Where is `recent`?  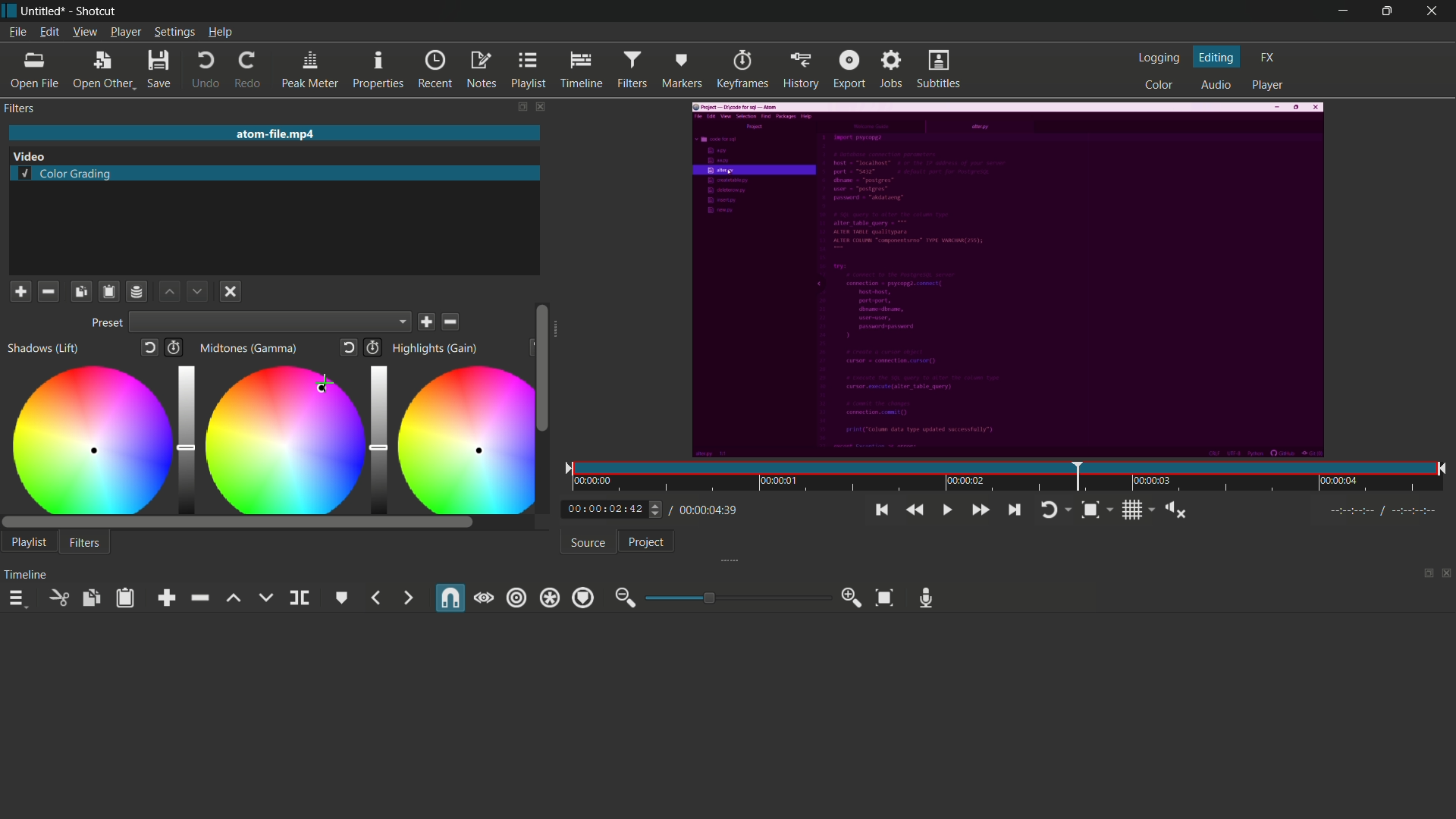
recent is located at coordinates (435, 70).